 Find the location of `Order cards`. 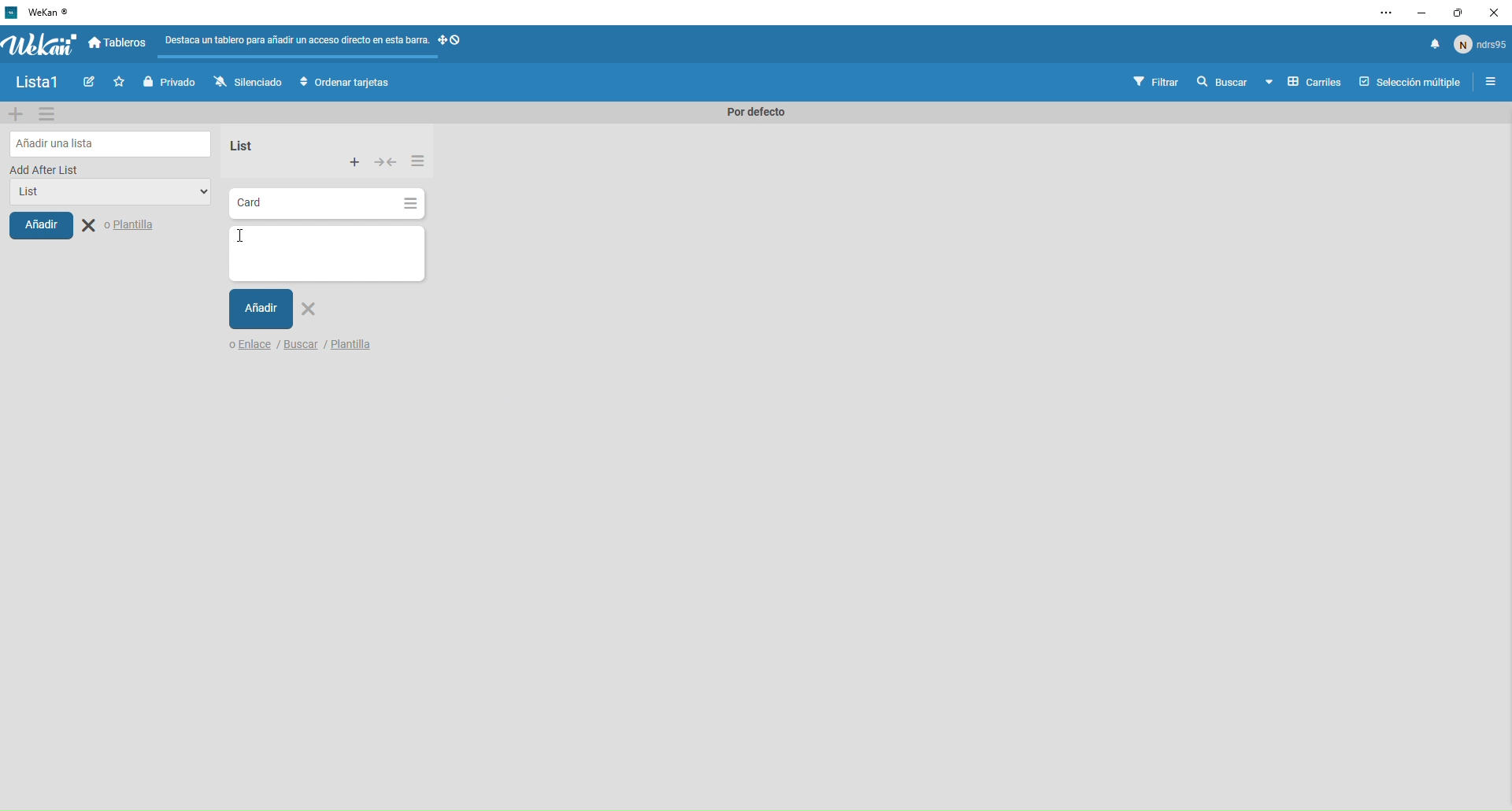

Order cards is located at coordinates (345, 83).